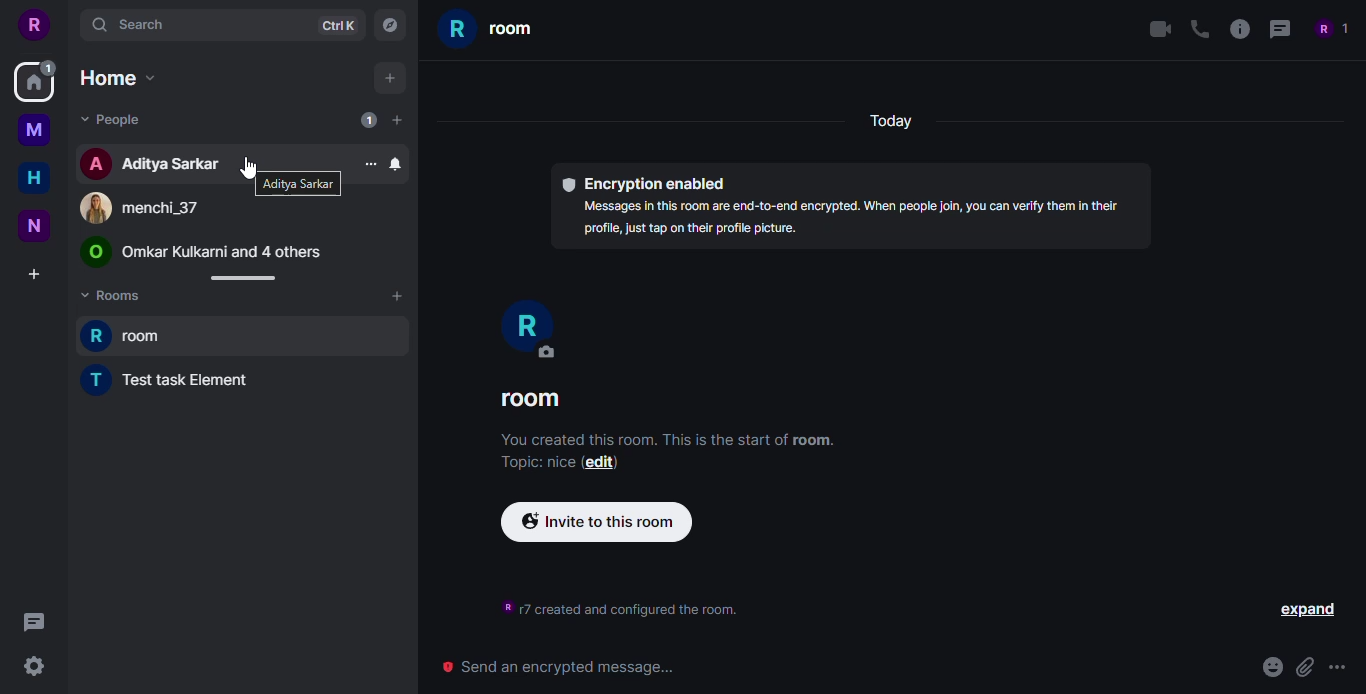 The width and height of the screenshot is (1366, 694). I want to click on omkar kulkarni and 4 others, so click(202, 253).